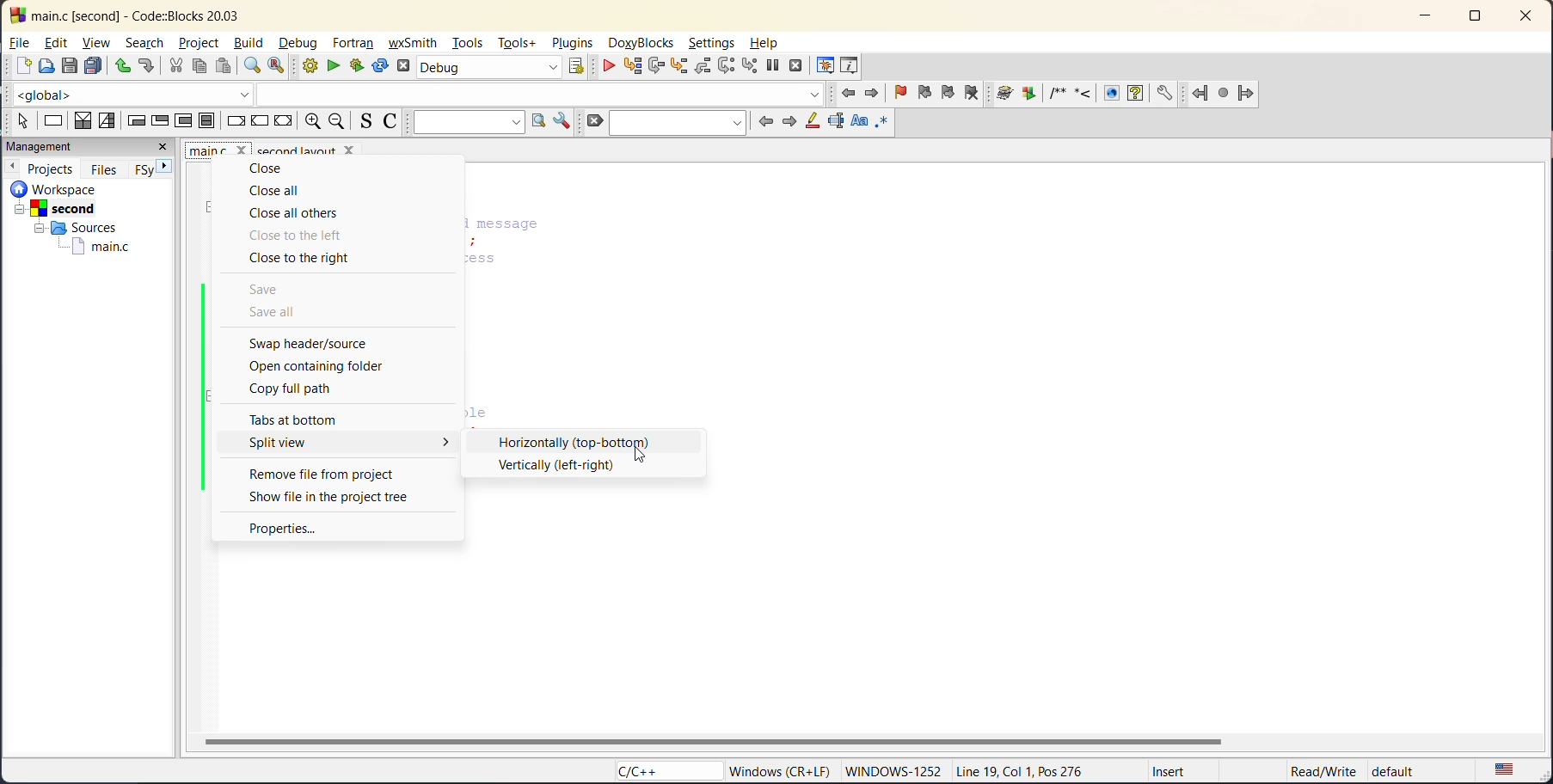 Image resolution: width=1553 pixels, height=784 pixels. Describe the element at coordinates (144, 42) in the screenshot. I see `search` at that location.